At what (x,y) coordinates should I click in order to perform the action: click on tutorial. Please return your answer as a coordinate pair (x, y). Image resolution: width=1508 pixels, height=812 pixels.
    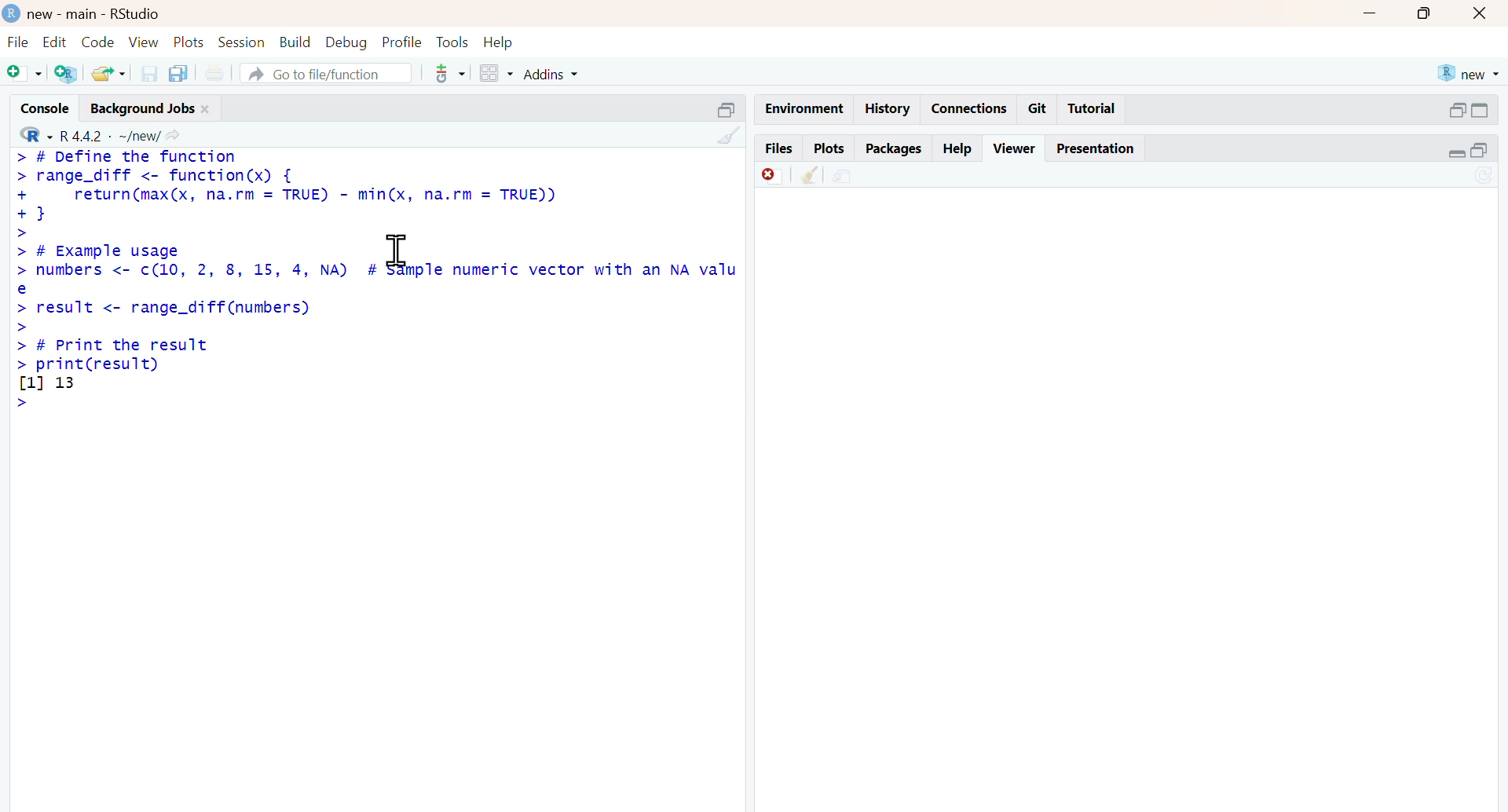
    Looking at the image, I should click on (1093, 109).